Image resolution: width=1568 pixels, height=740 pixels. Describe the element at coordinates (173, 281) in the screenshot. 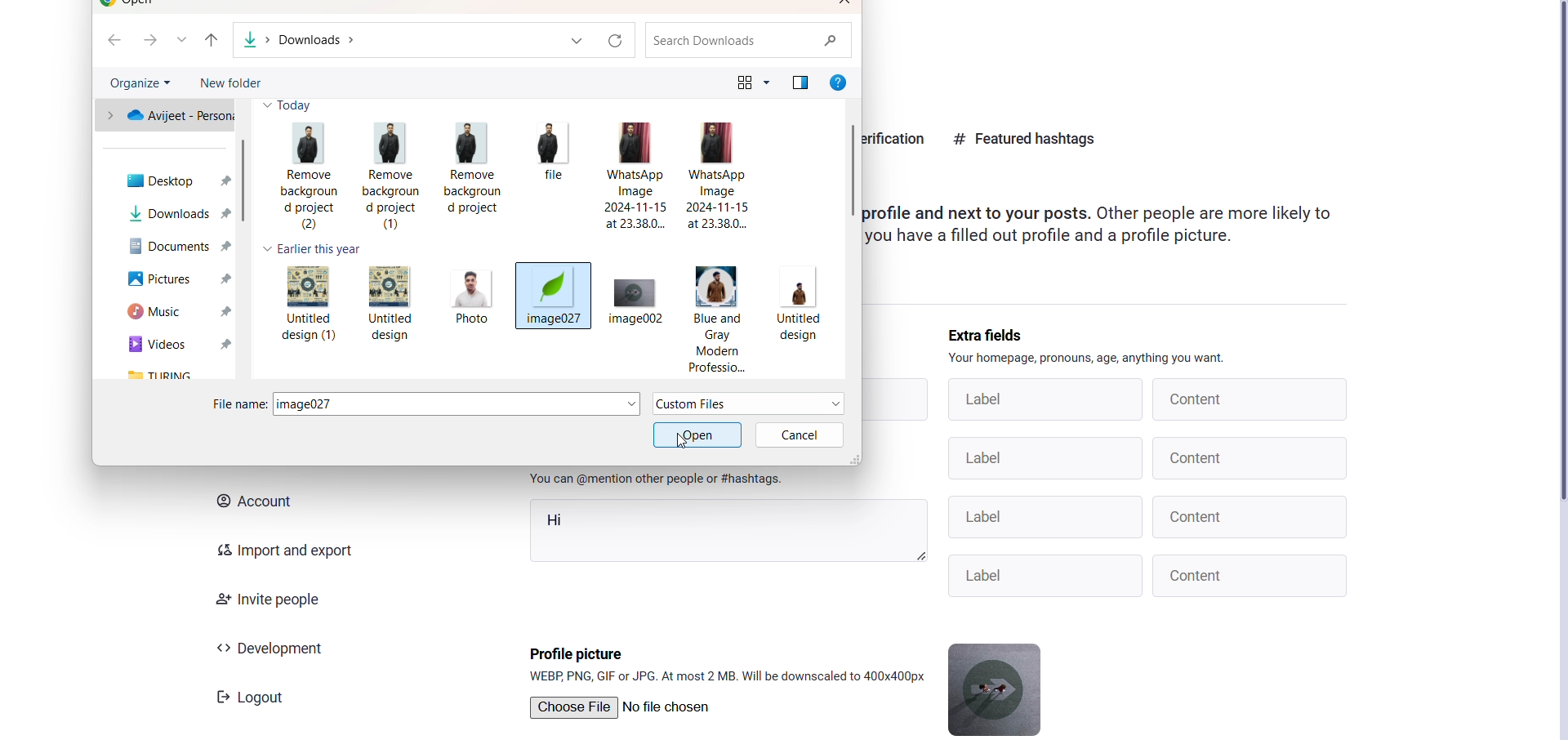

I see `pictures` at that location.